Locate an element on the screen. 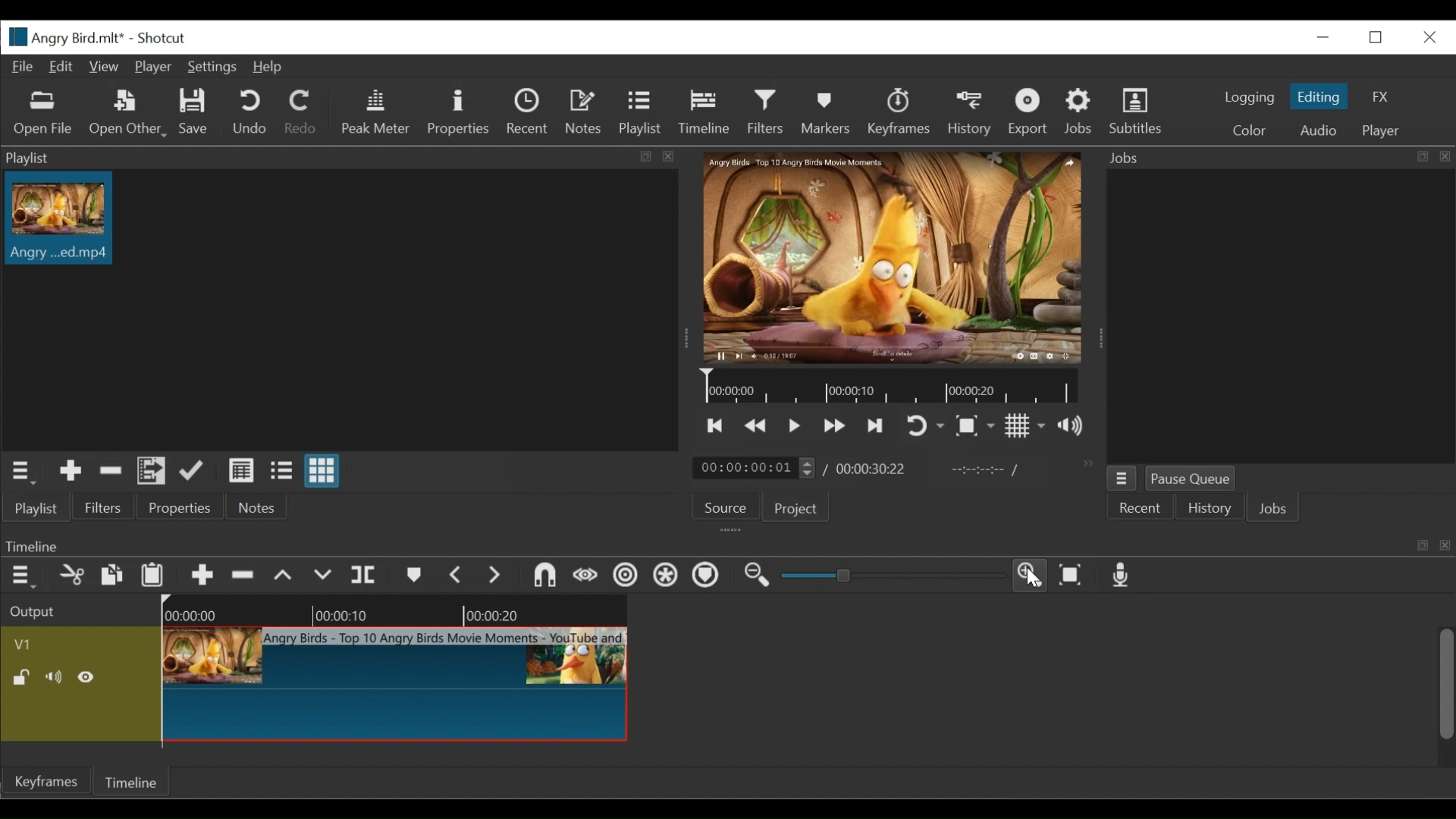  Recent is located at coordinates (1139, 507).